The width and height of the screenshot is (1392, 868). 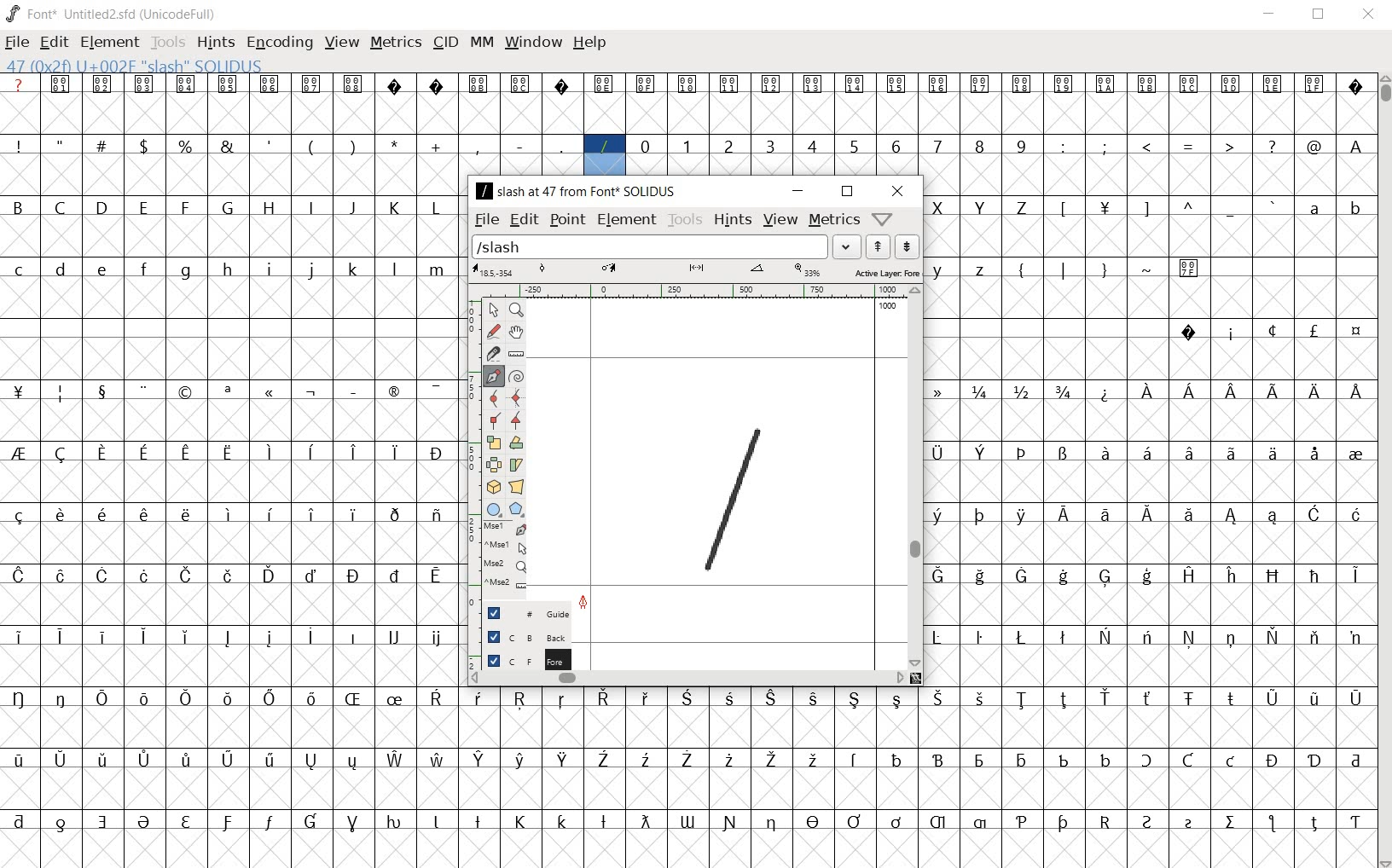 What do you see at coordinates (518, 609) in the screenshot?
I see `guide` at bounding box center [518, 609].